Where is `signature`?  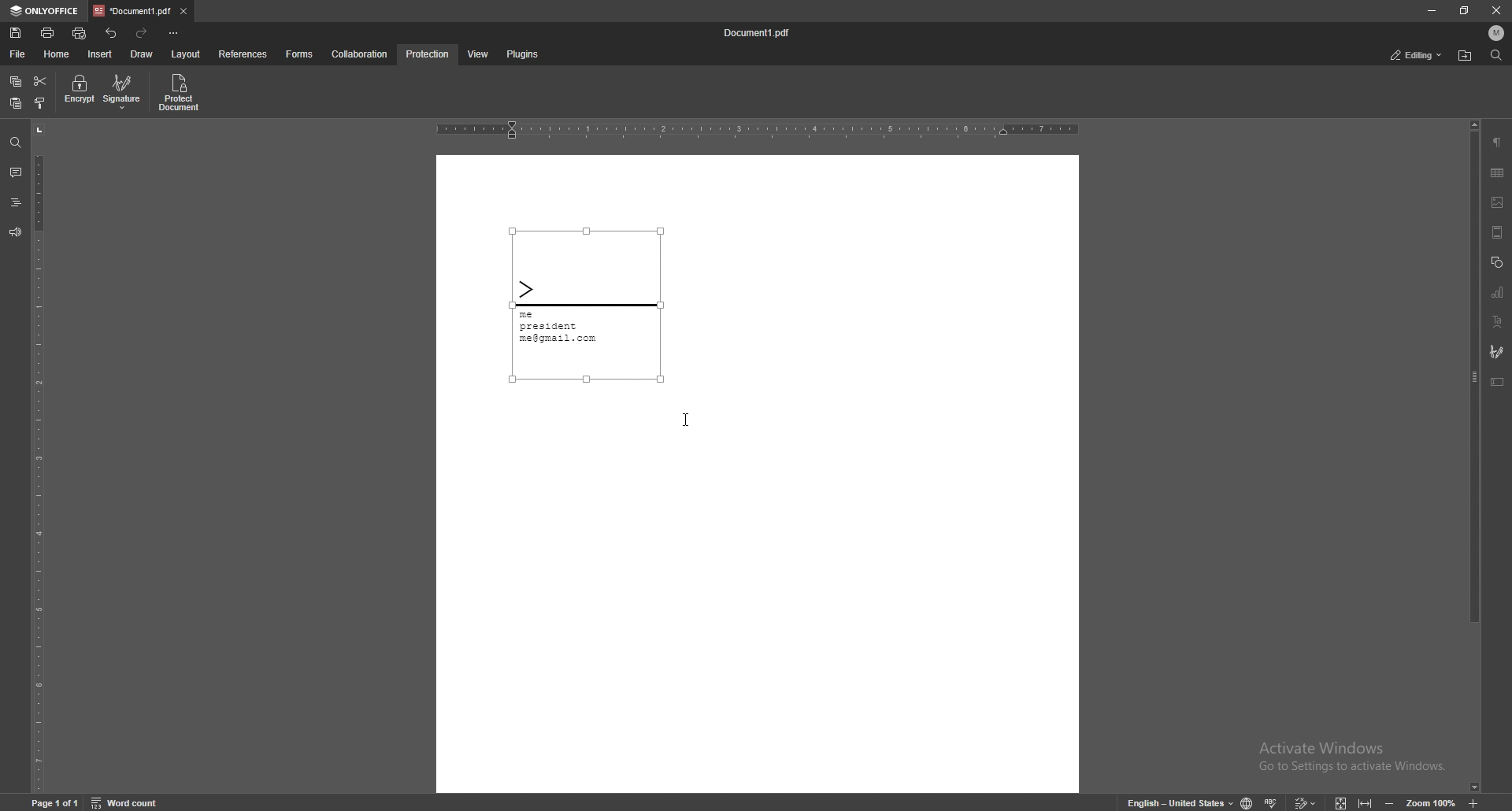
signature is located at coordinates (587, 304).